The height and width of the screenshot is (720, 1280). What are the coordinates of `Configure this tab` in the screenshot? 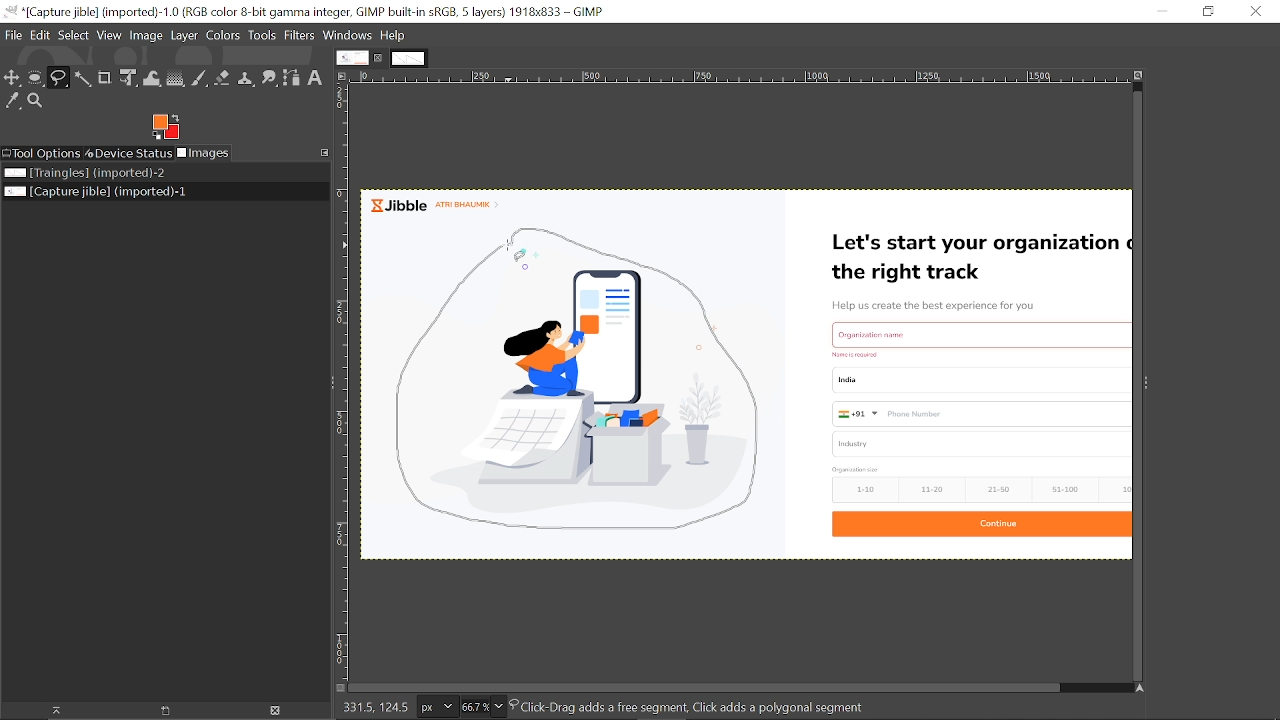 It's located at (326, 152).